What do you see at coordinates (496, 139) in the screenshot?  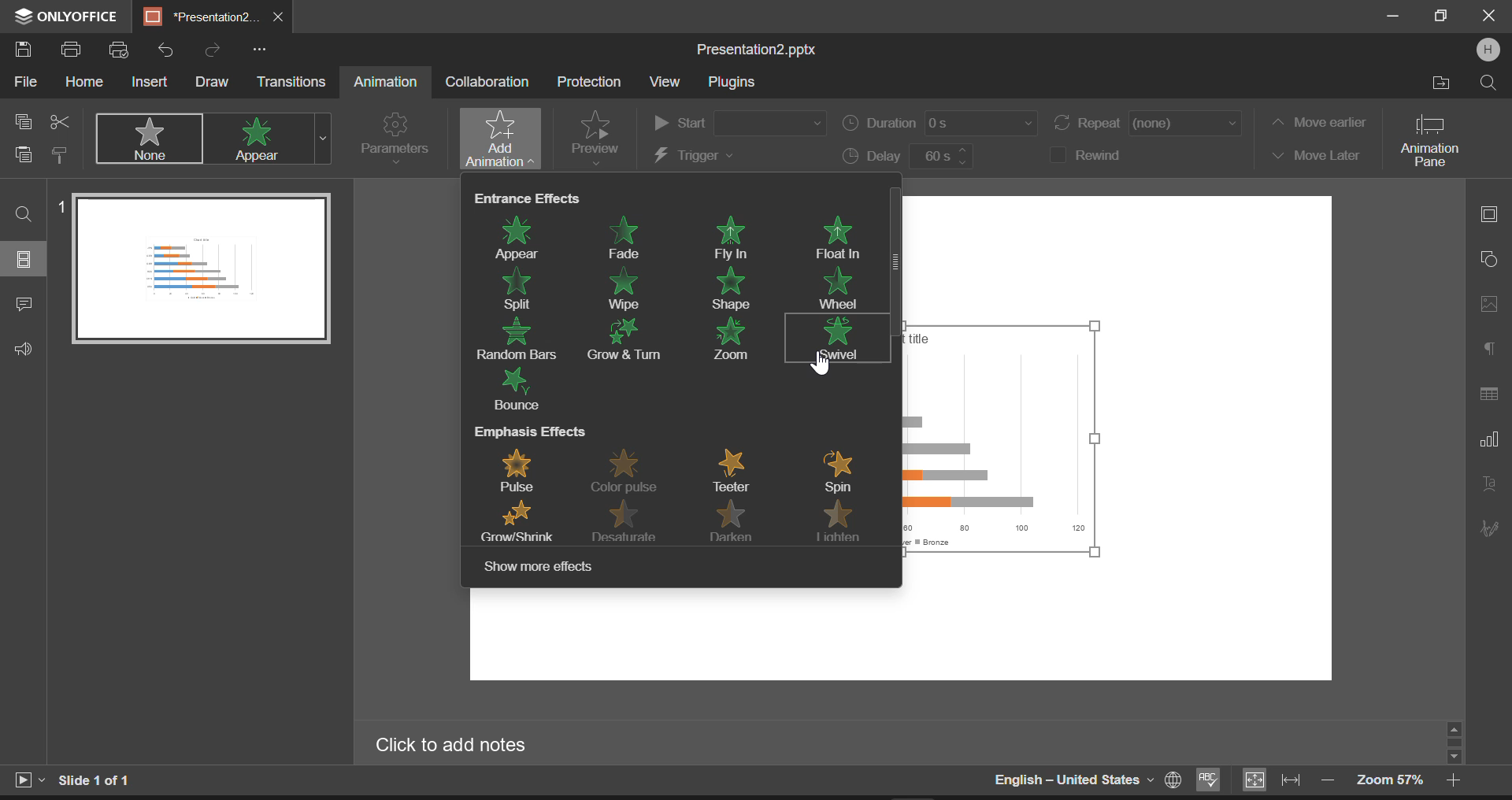 I see `Add Animation` at bounding box center [496, 139].